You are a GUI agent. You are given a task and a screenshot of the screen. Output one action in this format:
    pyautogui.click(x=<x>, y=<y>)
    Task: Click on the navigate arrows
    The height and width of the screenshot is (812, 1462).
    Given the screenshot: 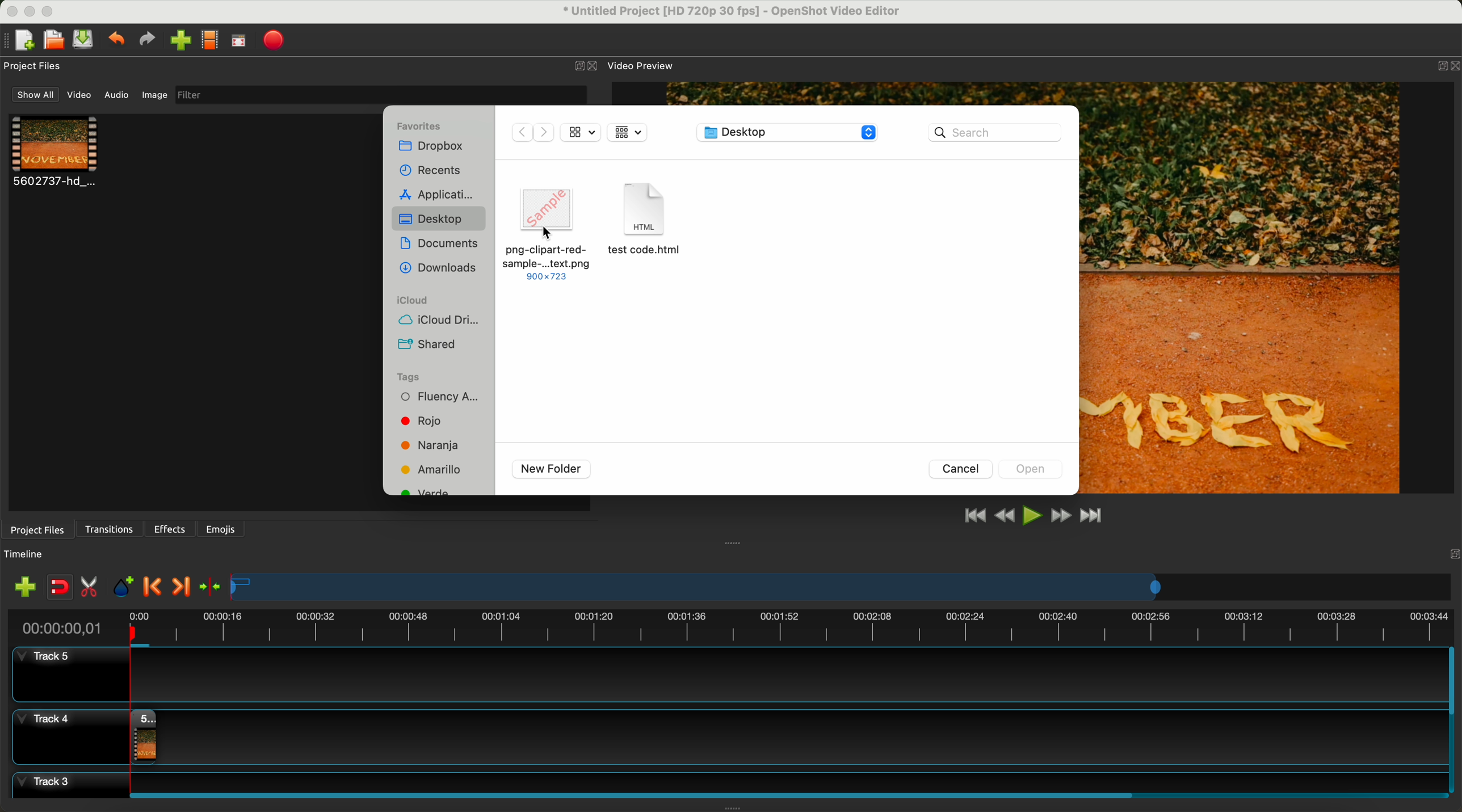 What is the action you would take?
    pyautogui.click(x=532, y=132)
    